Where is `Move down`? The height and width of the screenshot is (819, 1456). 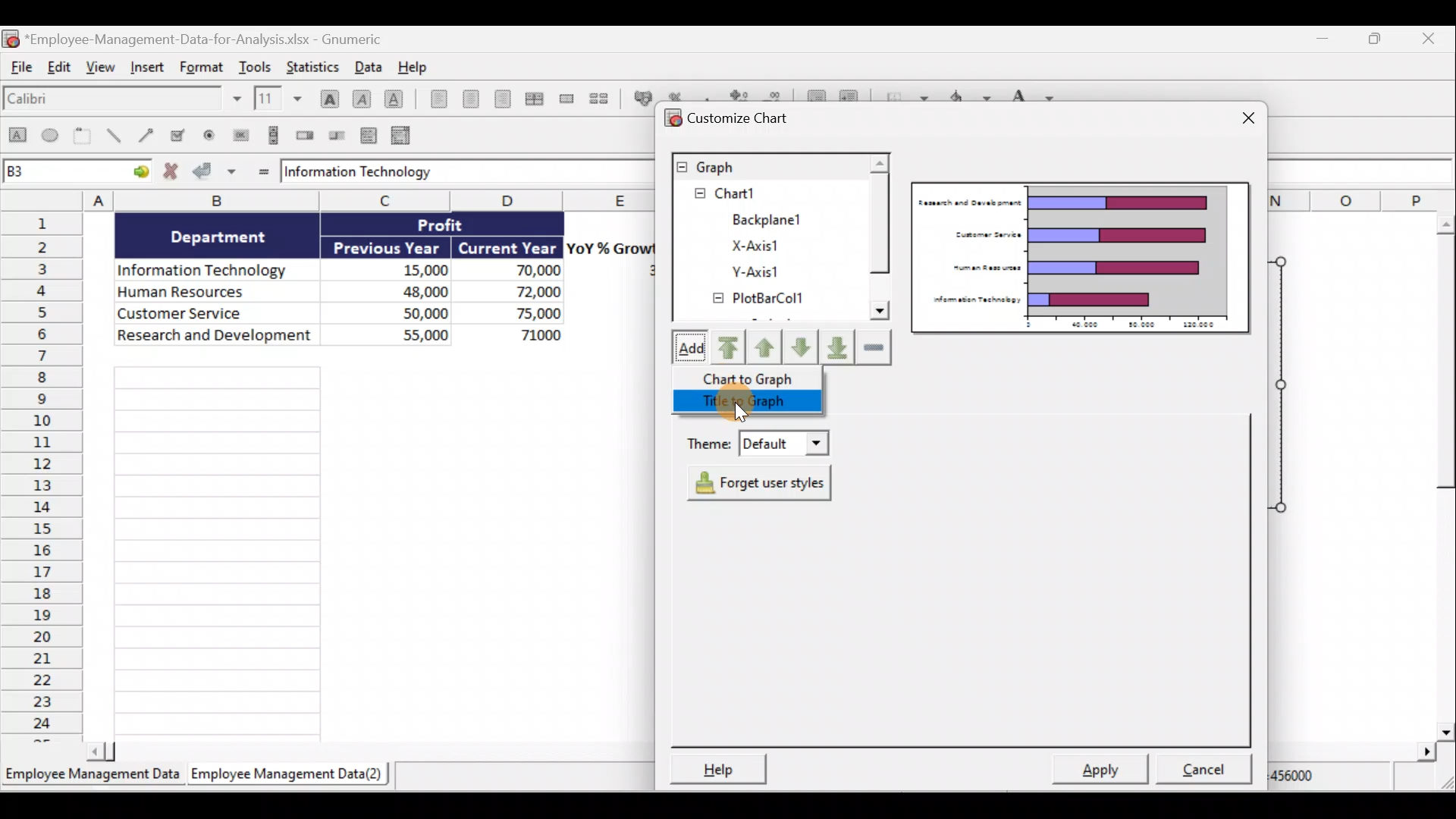 Move down is located at coordinates (802, 350).